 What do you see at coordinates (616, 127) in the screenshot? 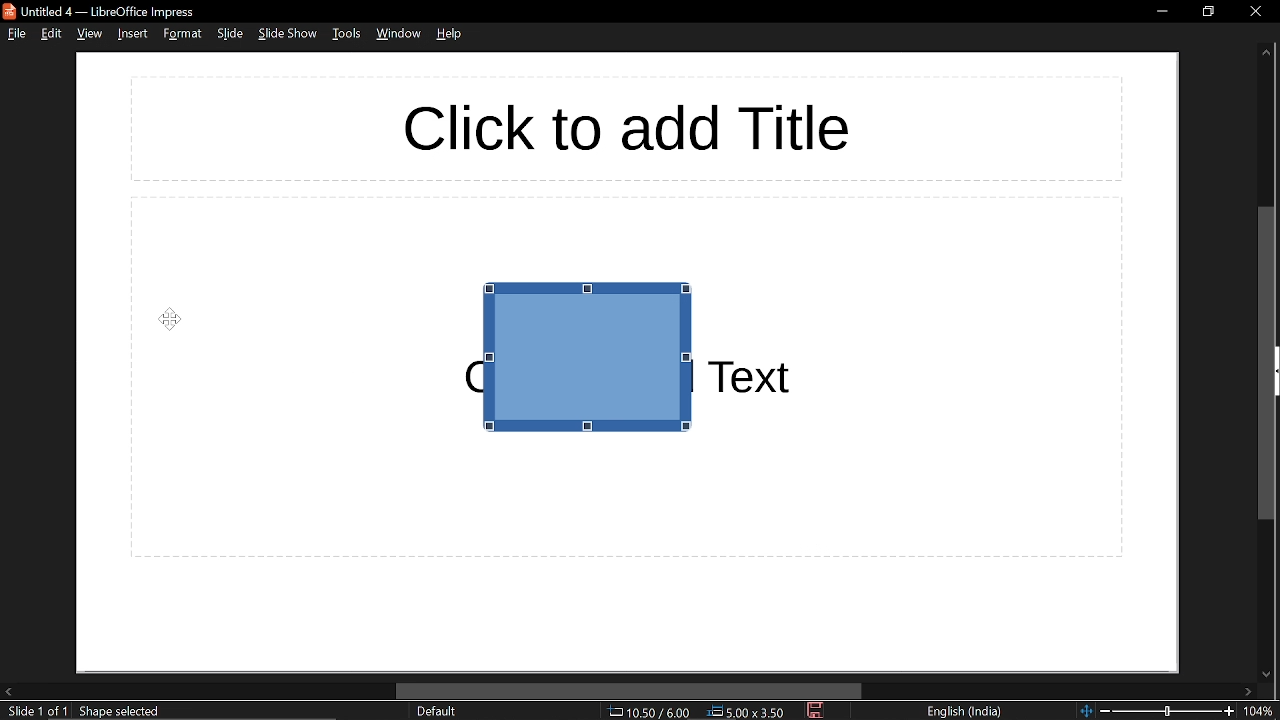
I see `Space for title` at bounding box center [616, 127].